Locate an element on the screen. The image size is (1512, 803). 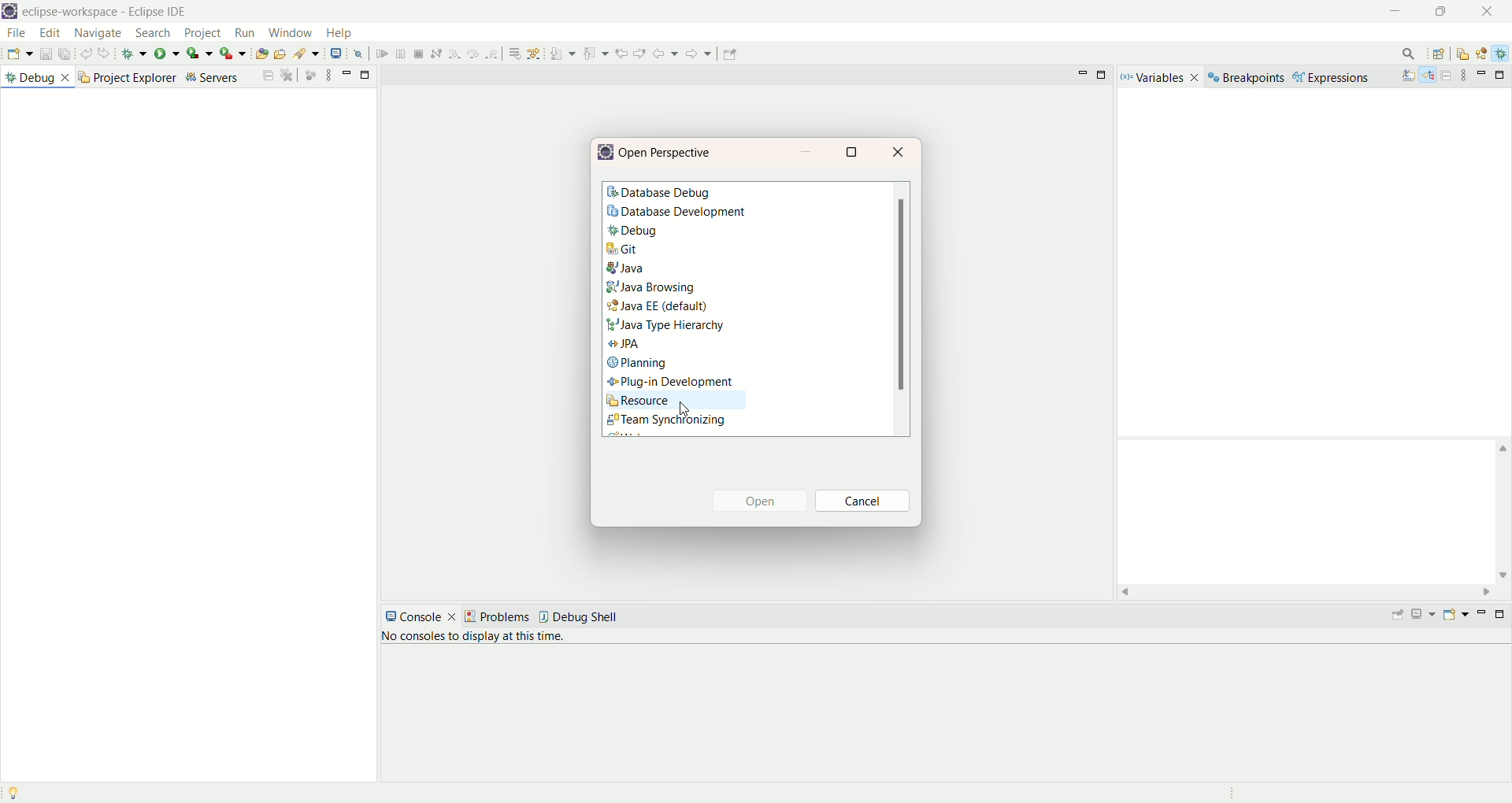
view options is located at coordinates (330, 75).